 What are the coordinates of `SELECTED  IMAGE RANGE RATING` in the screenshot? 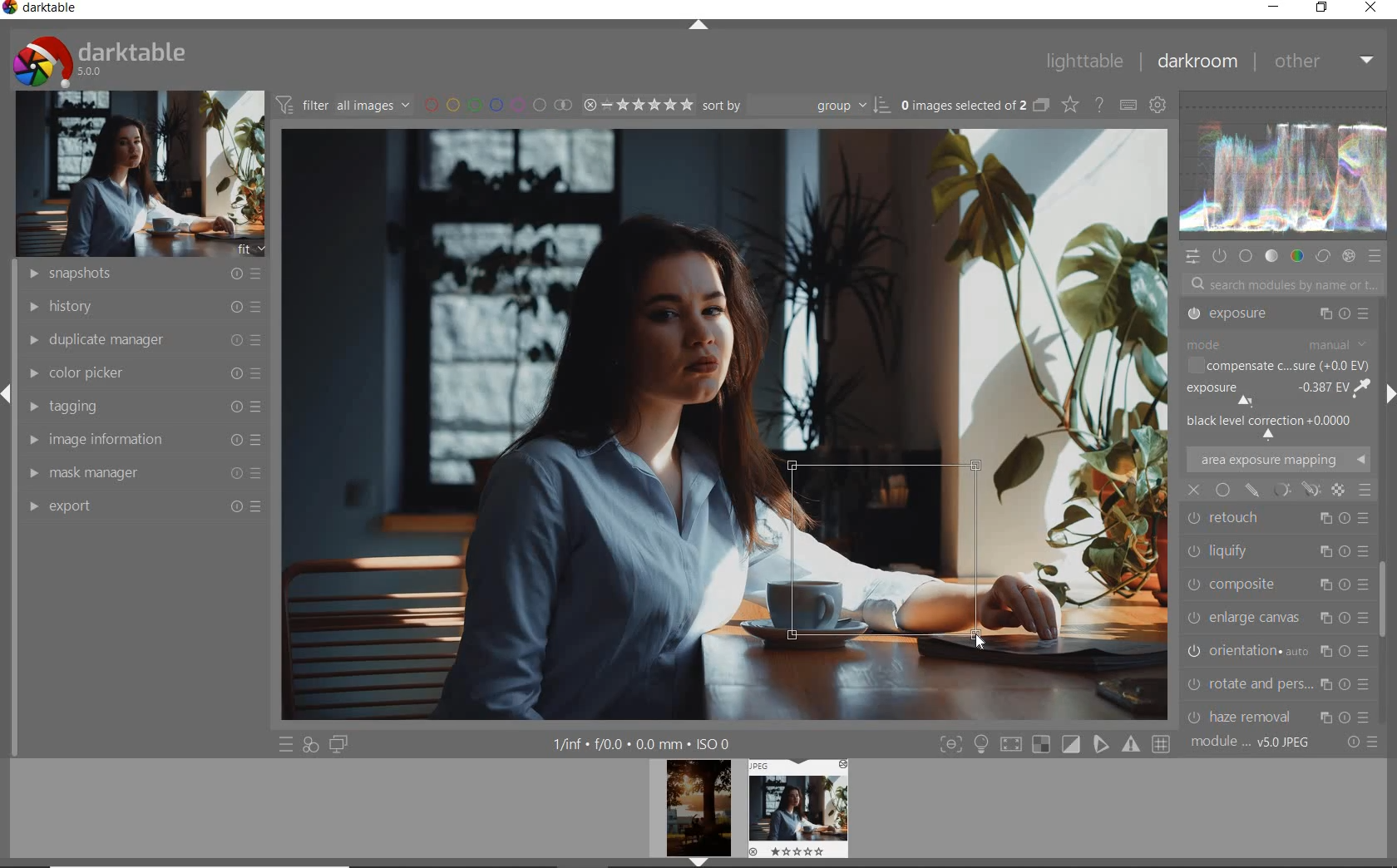 It's located at (637, 105).